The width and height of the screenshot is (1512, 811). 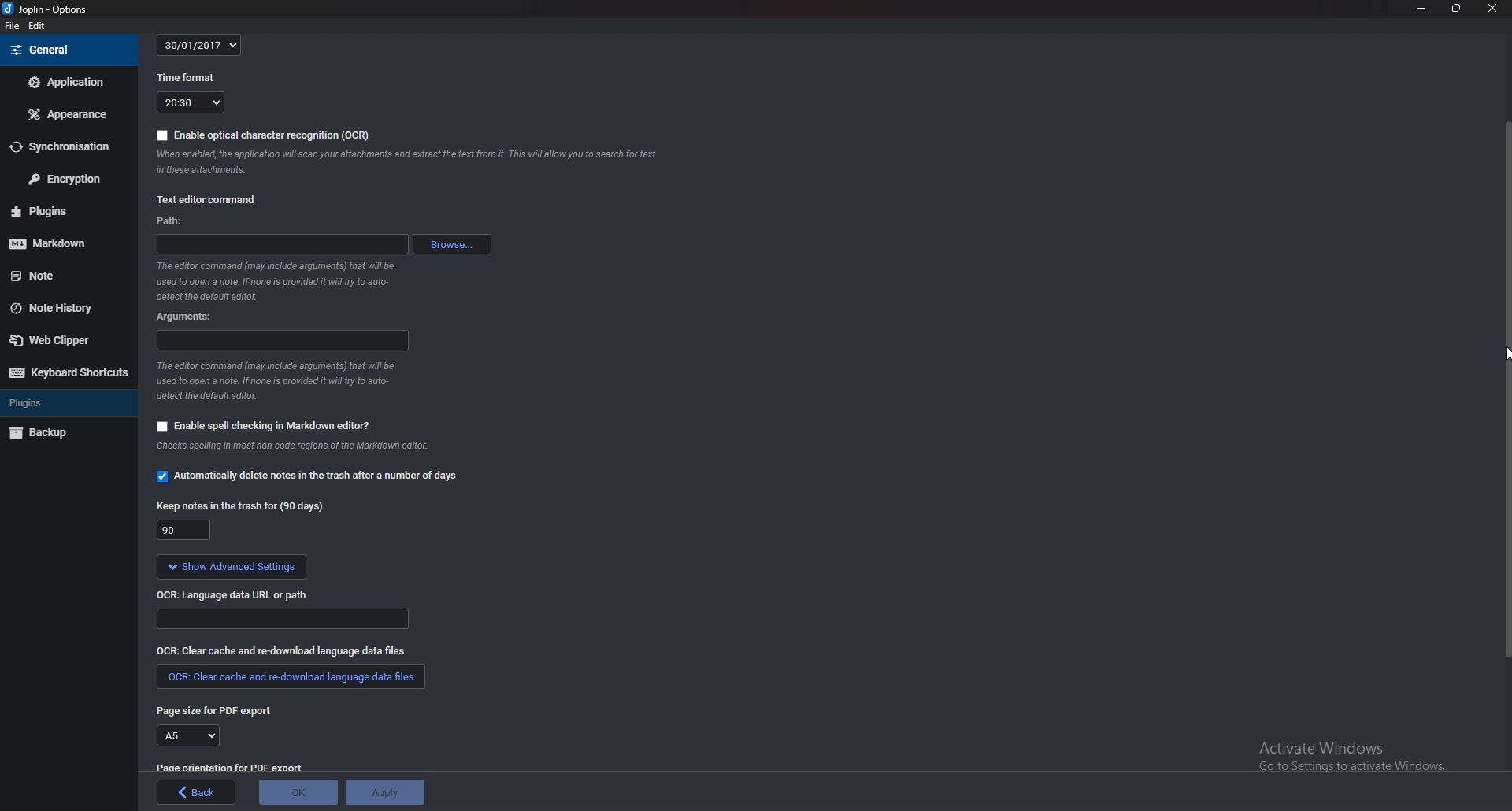 What do you see at coordinates (236, 596) in the screenshot?
I see `o C R language data url or path` at bounding box center [236, 596].